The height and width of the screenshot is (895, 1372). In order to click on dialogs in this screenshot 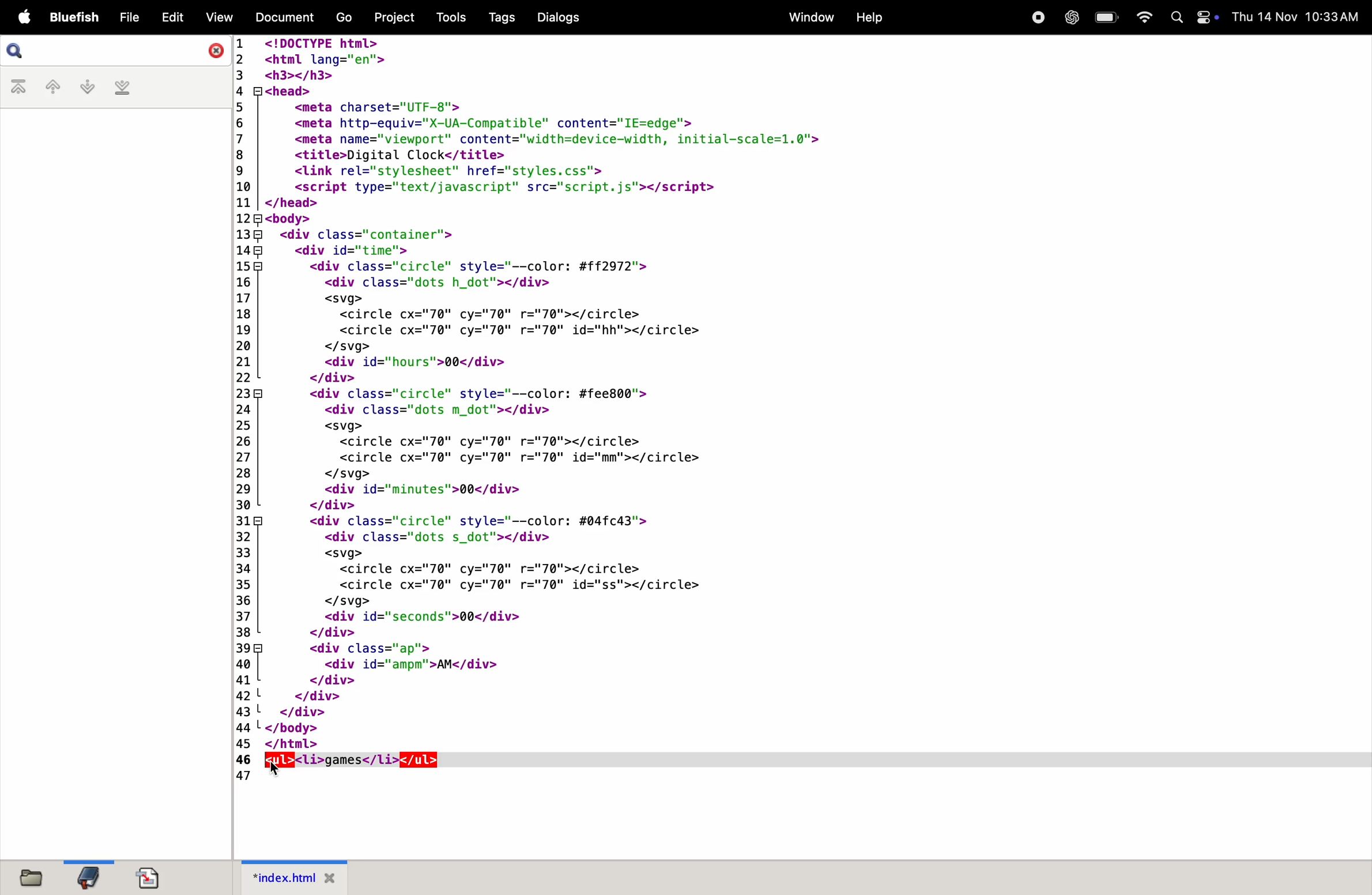, I will do `click(559, 18)`.